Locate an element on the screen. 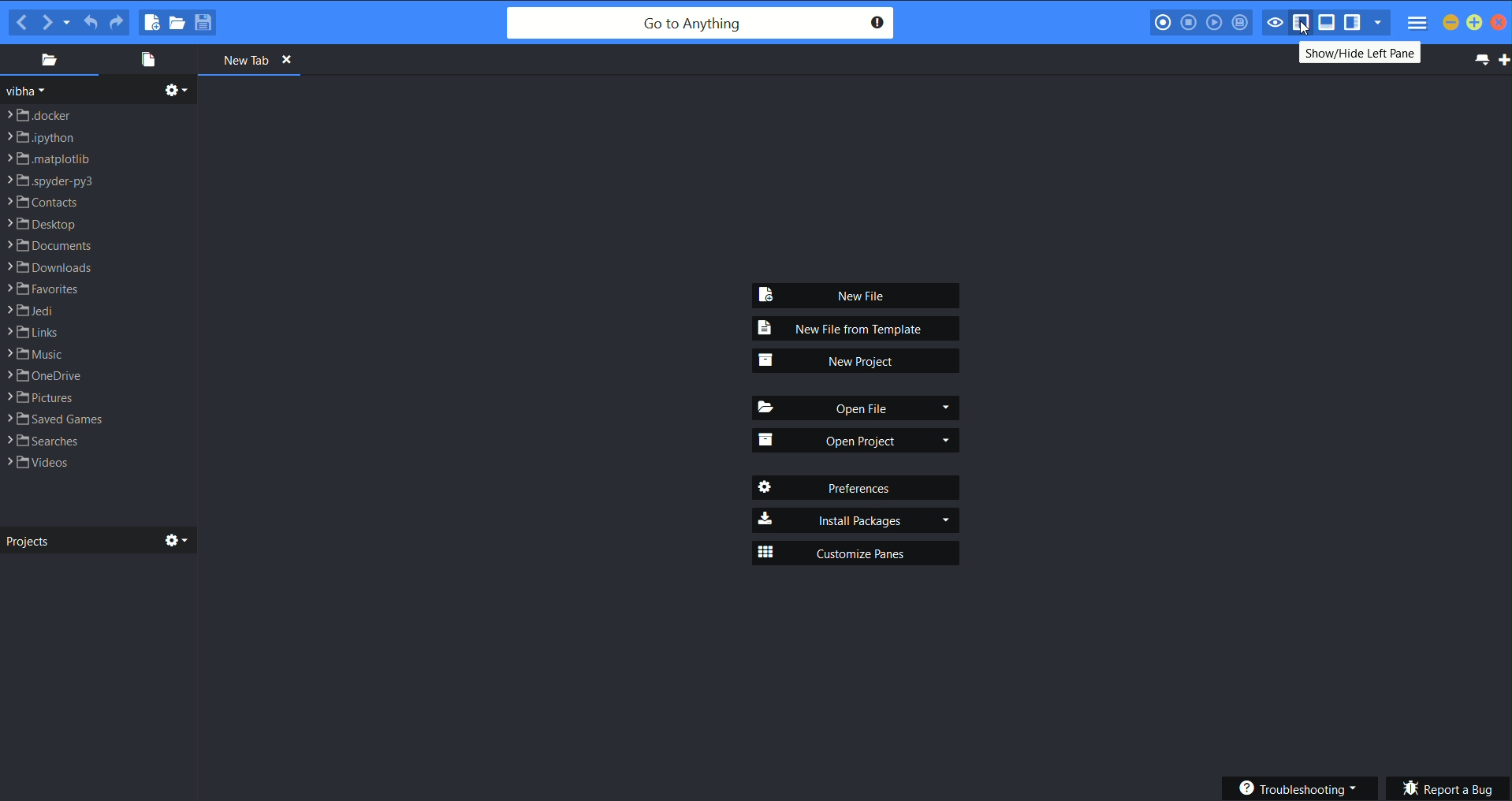  oneDrive is located at coordinates (42, 376).